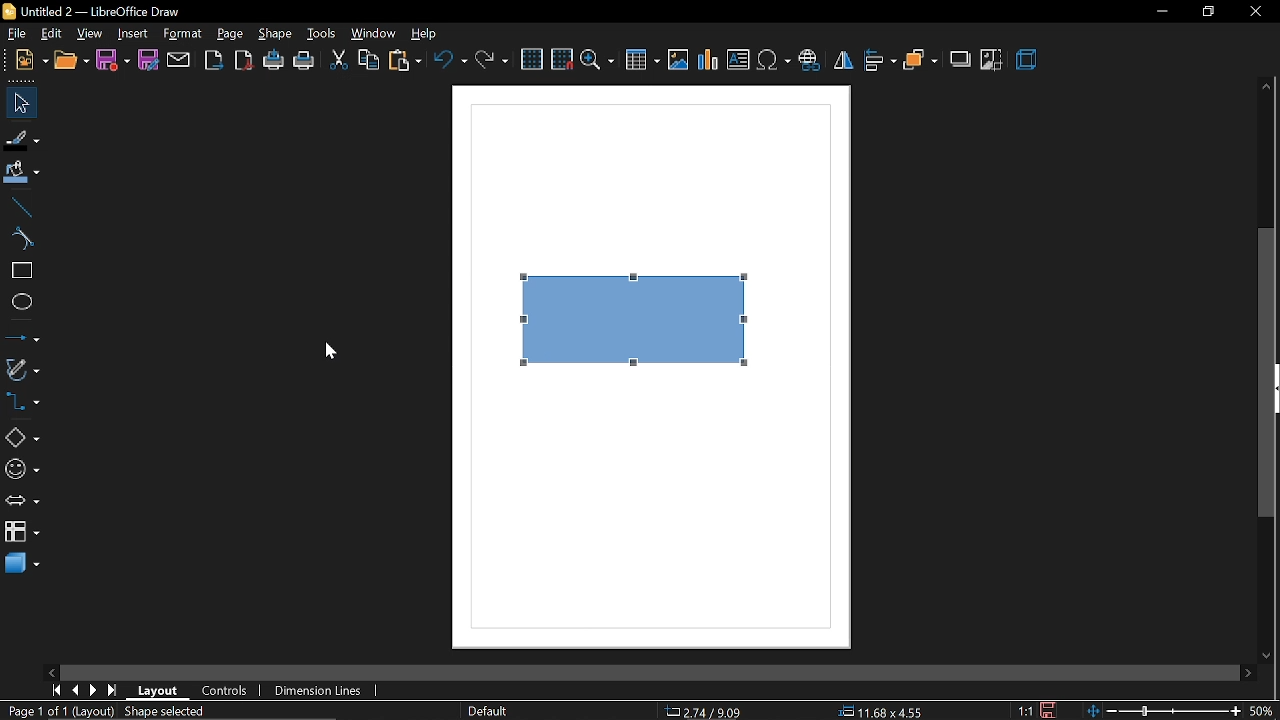 The image size is (1280, 720). I want to click on ellipse, so click(21, 304).